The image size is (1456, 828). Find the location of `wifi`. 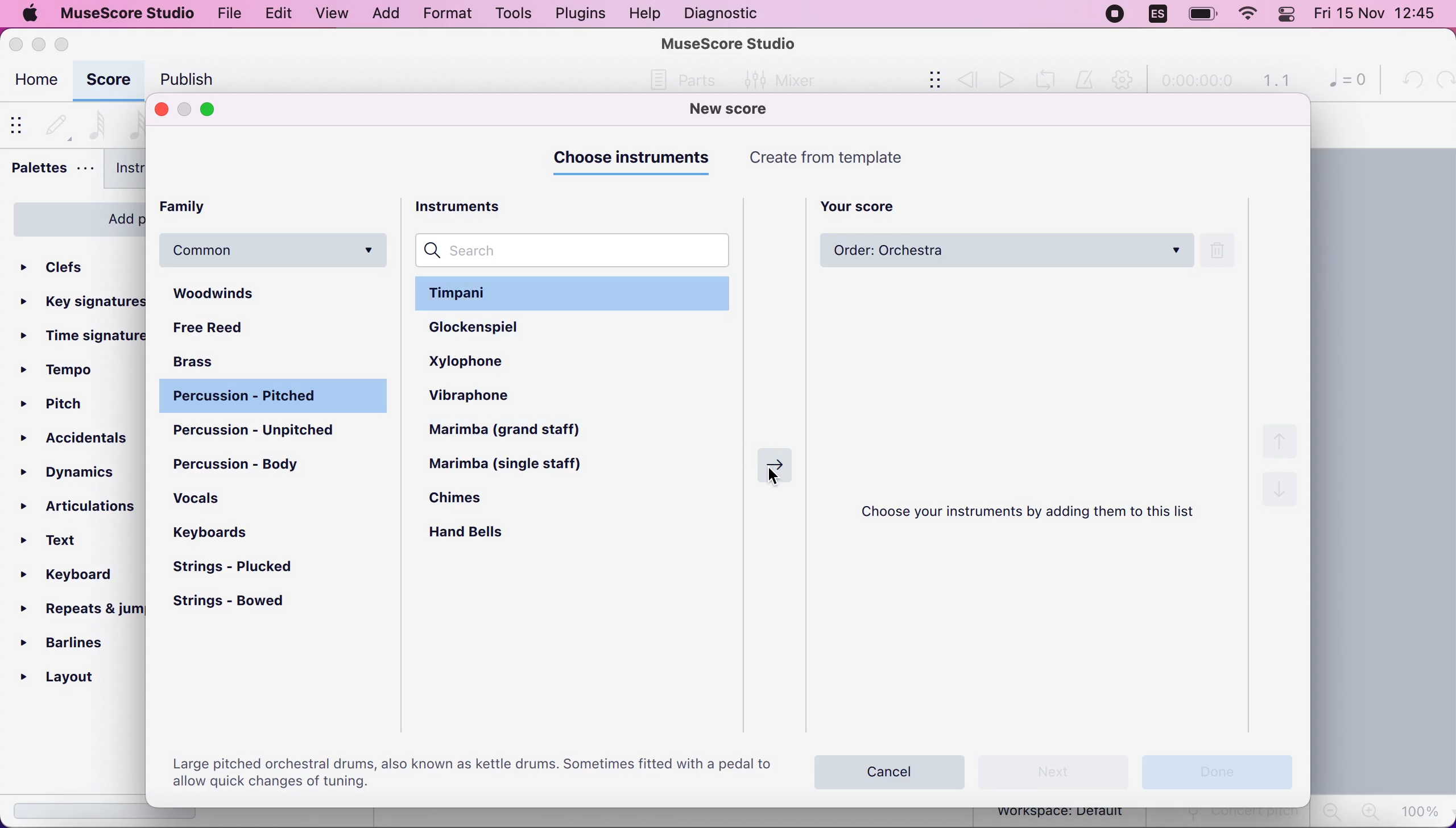

wifi is located at coordinates (1247, 16).